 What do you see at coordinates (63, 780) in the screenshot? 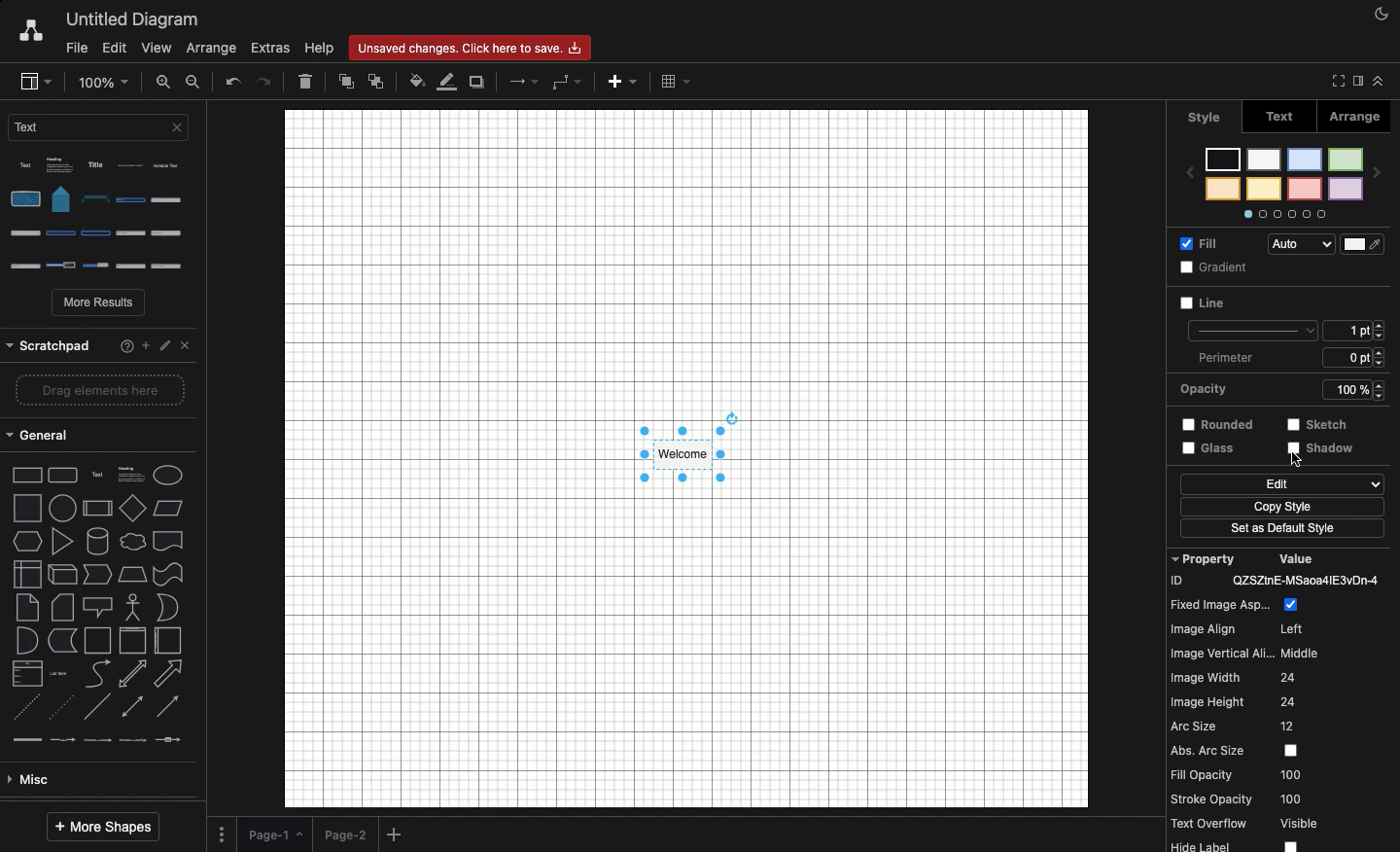
I see `Entity relation` at bounding box center [63, 780].